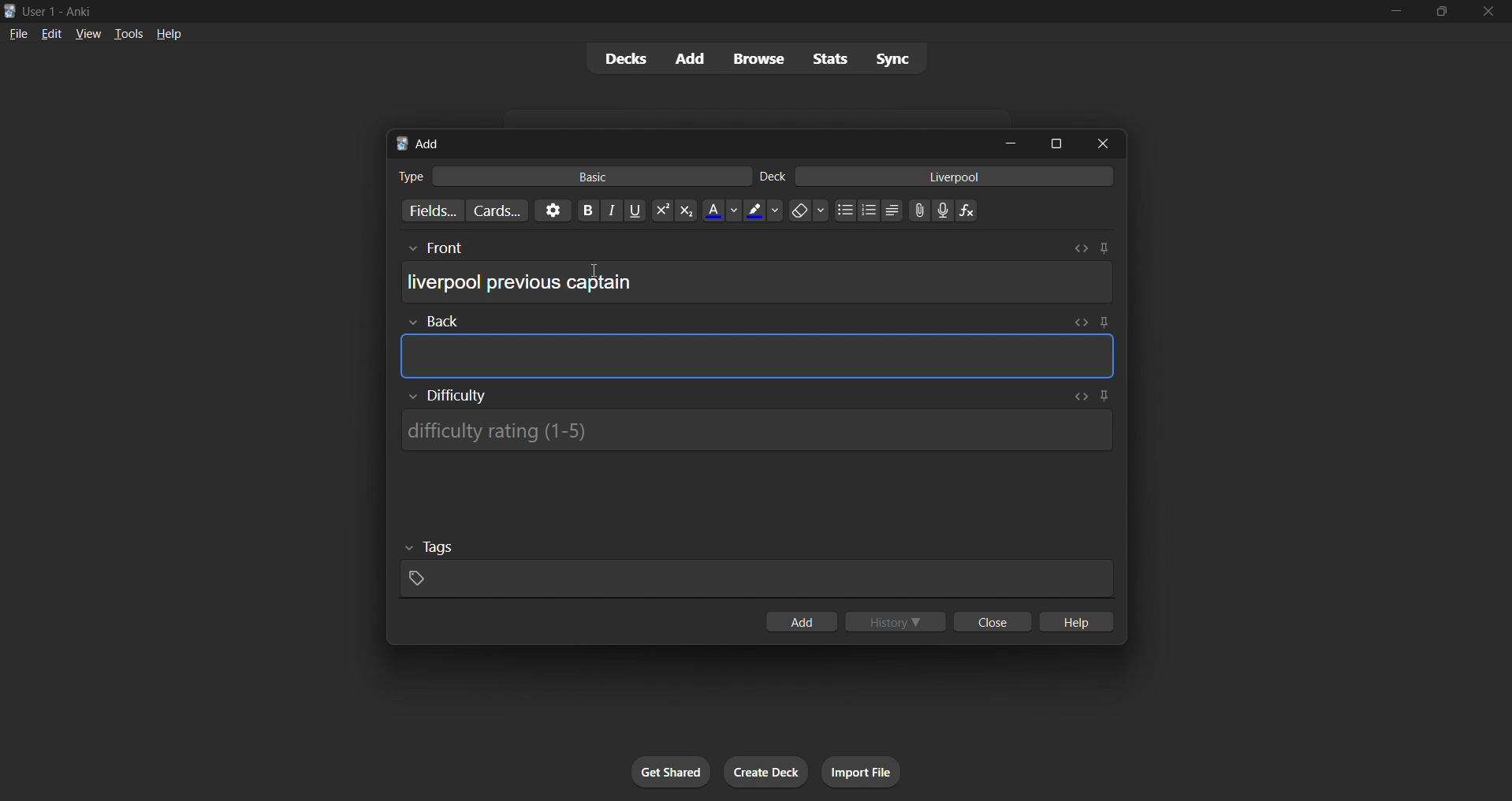 Image resolution: width=1512 pixels, height=801 pixels. Describe the element at coordinates (1442, 12) in the screenshot. I see `maximize/restore` at that location.